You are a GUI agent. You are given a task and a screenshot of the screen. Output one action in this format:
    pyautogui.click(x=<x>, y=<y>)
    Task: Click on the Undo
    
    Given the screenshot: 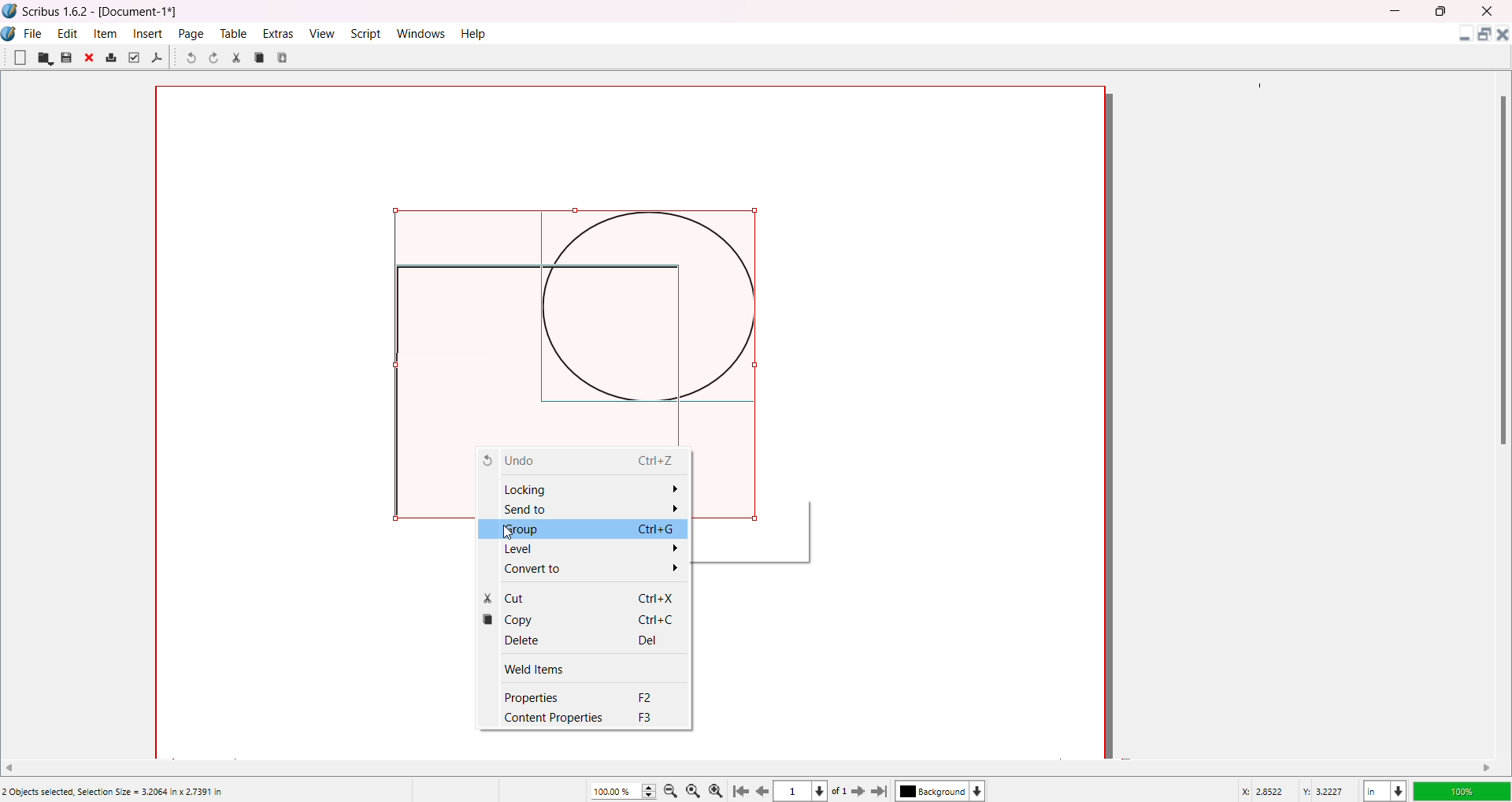 What is the action you would take?
    pyautogui.click(x=581, y=461)
    